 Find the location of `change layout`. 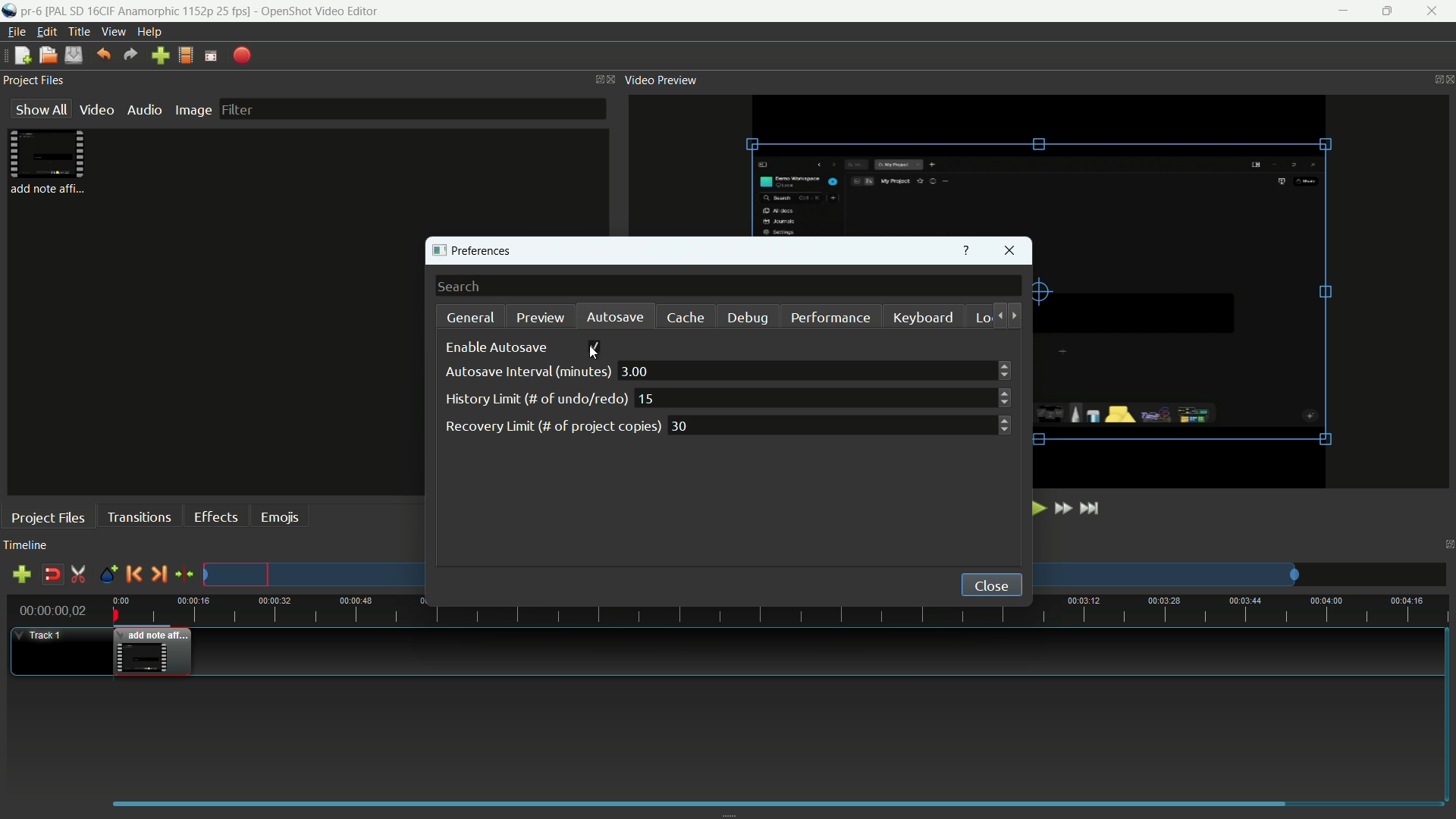

change layout is located at coordinates (1433, 78).